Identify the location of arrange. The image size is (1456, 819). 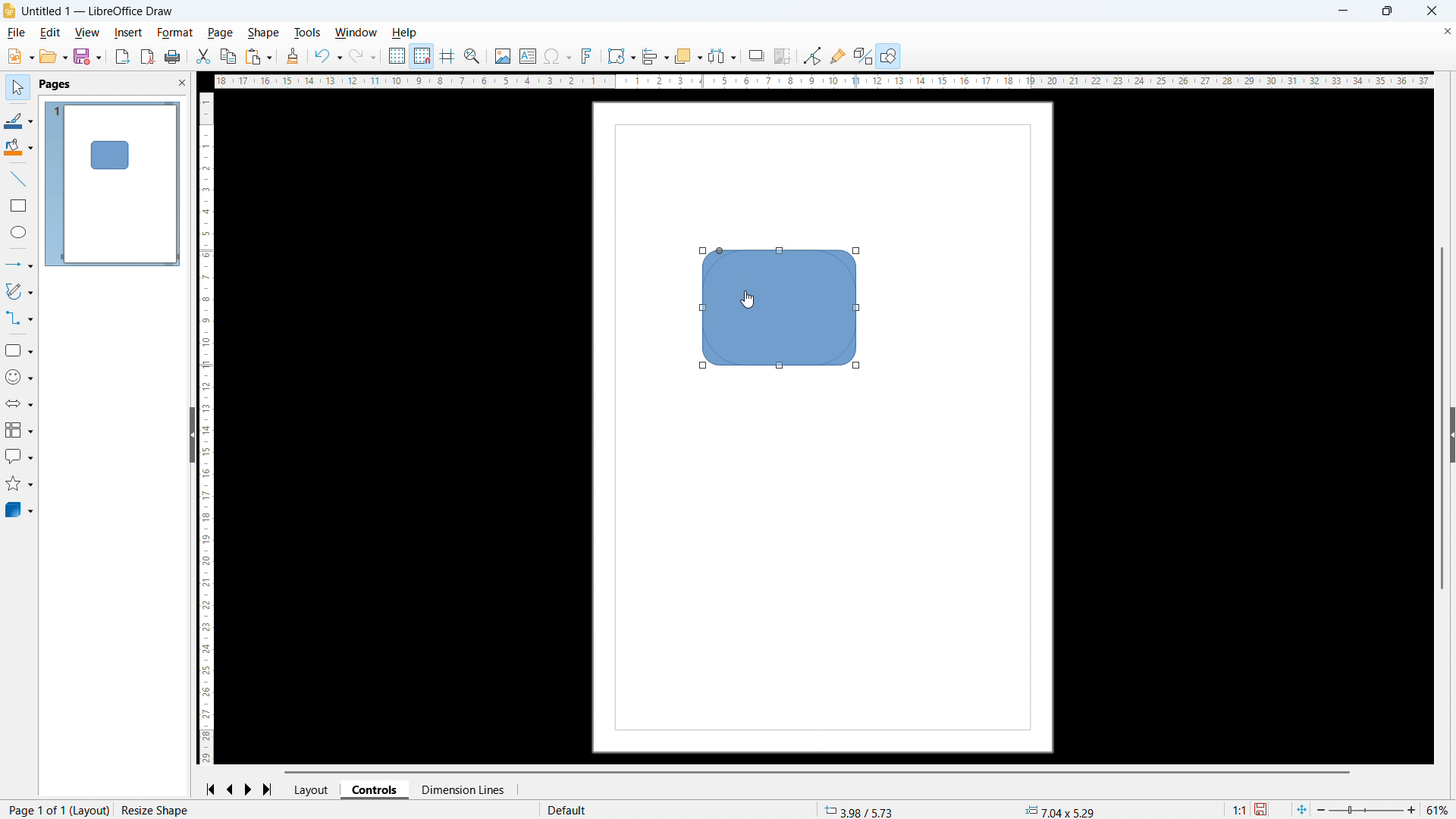
(687, 57).